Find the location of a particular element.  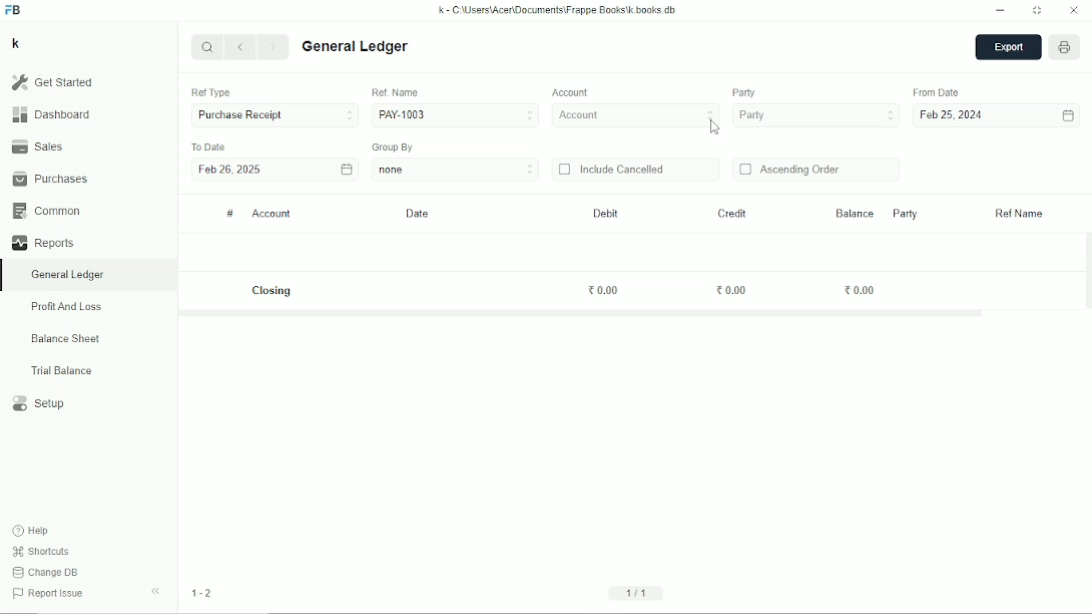

0.00 is located at coordinates (605, 290).